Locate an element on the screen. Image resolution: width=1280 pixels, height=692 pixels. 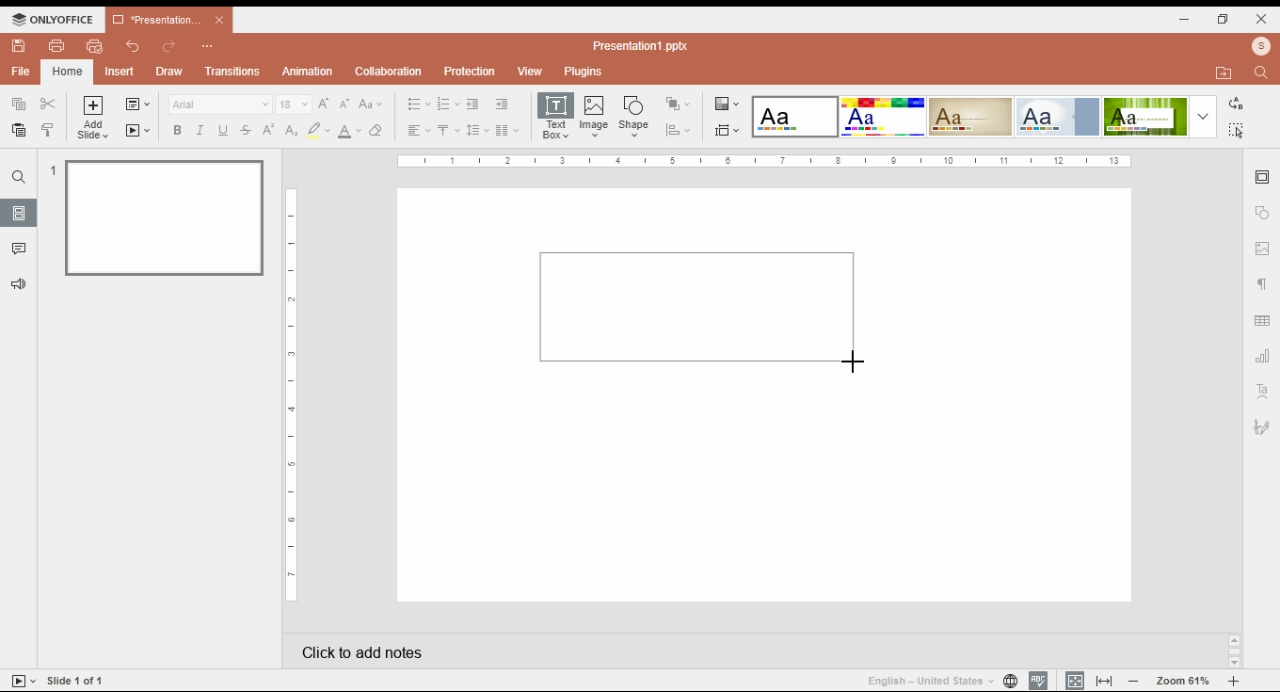
close window is located at coordinates (1260, 18).